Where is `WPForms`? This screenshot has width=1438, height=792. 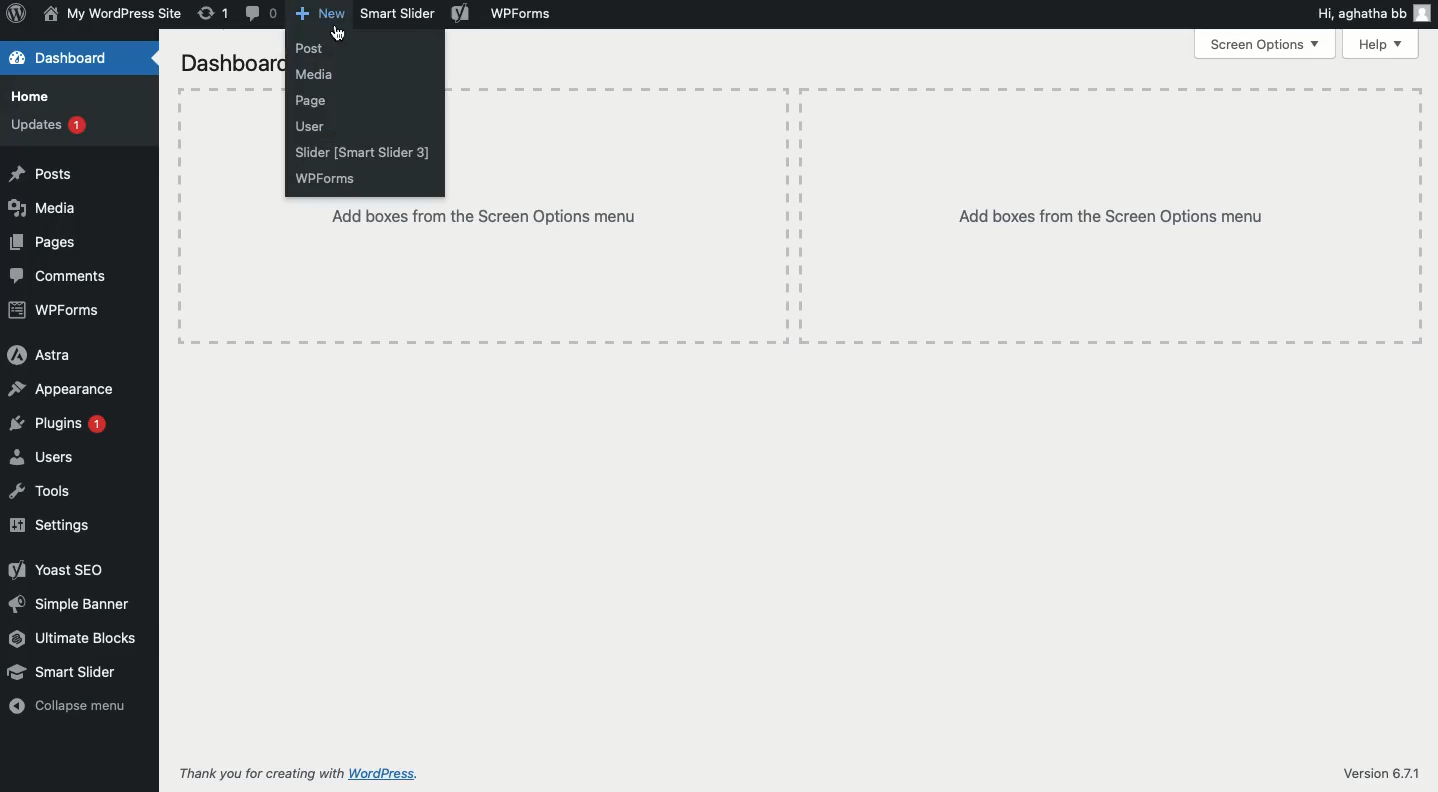
WPForms is located at coordinates (526, 13).